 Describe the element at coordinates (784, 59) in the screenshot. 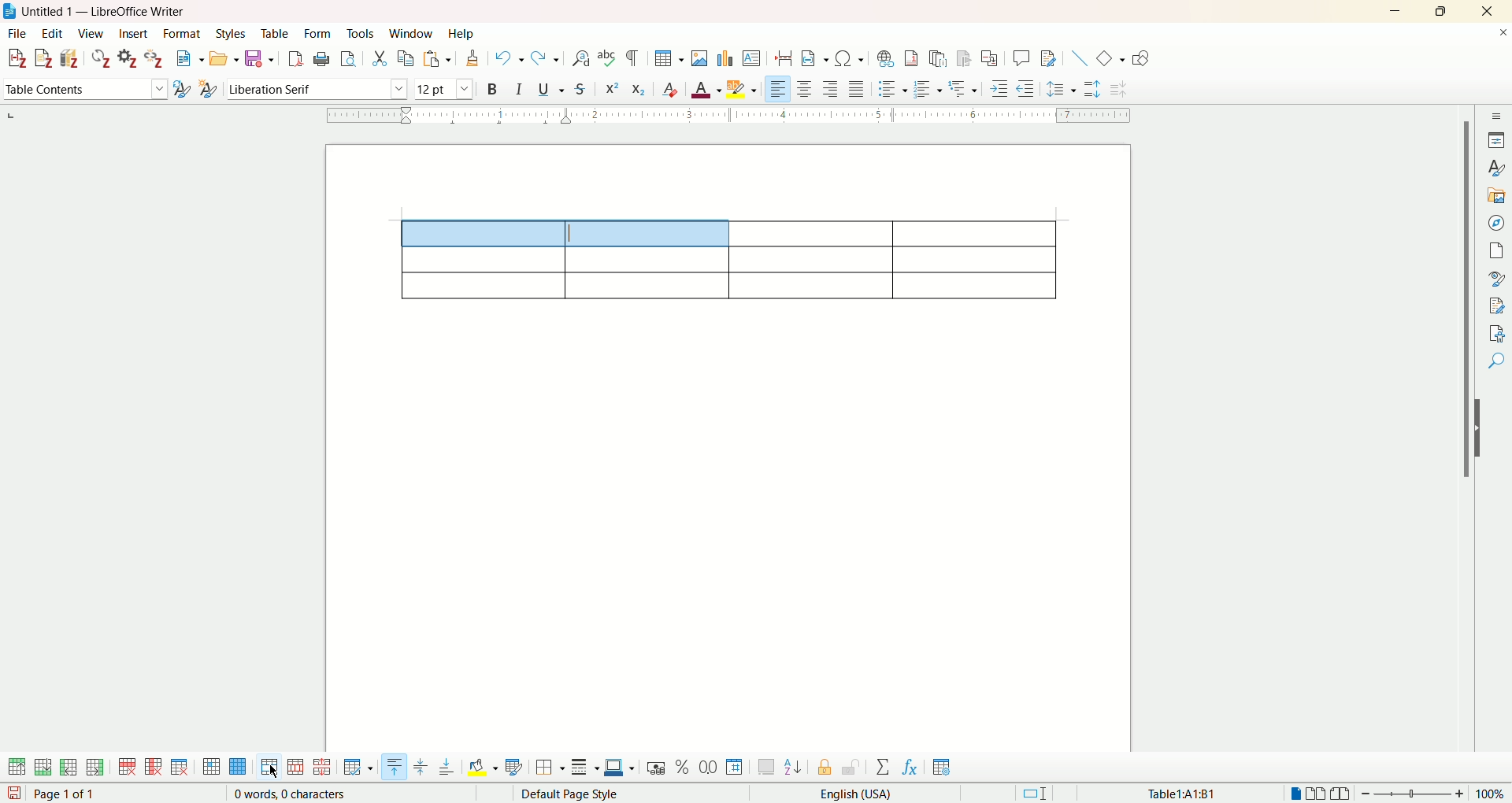

I see `insert page break` at that location.